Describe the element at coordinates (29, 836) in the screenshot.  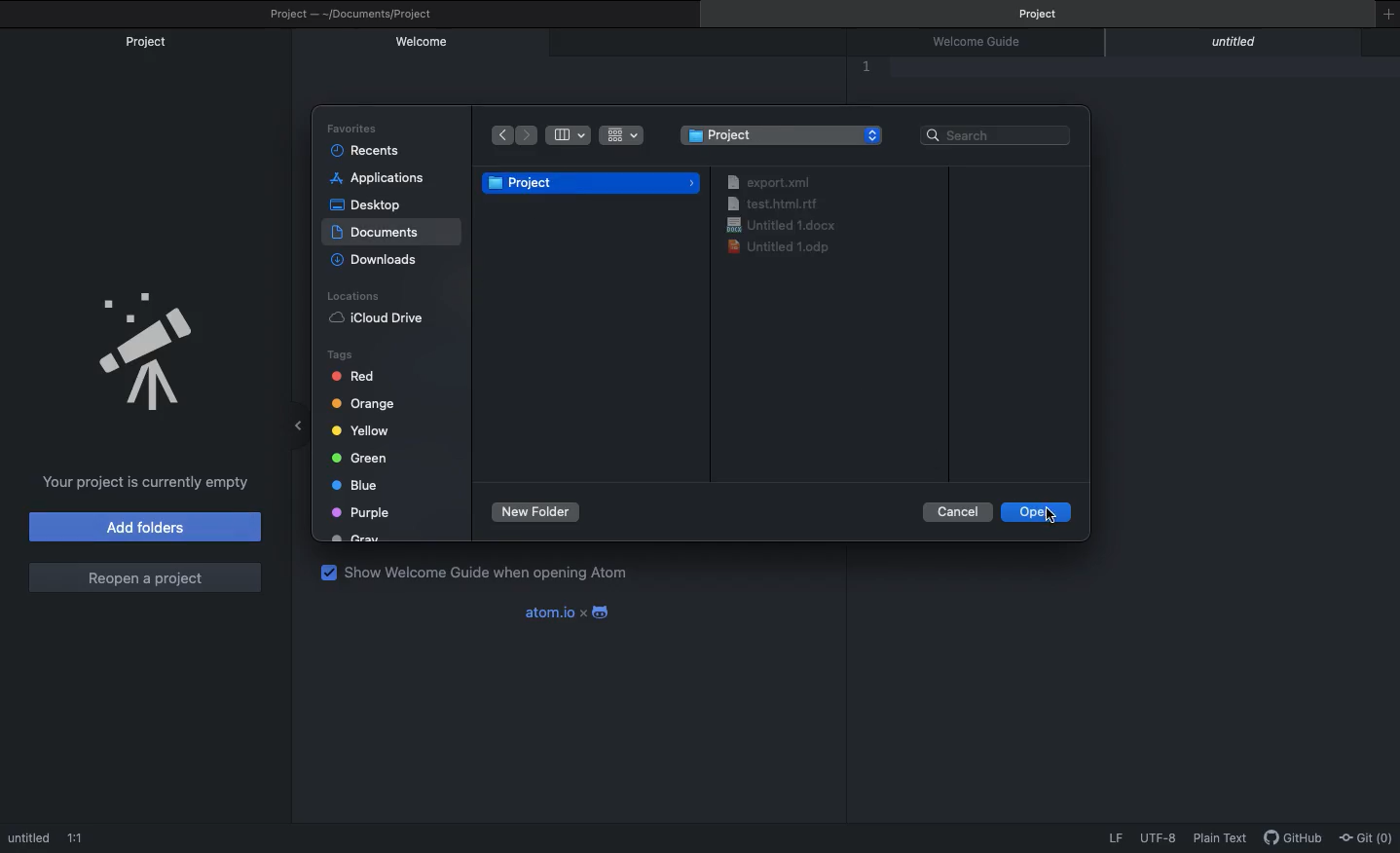
I see `Untitled` at that location.